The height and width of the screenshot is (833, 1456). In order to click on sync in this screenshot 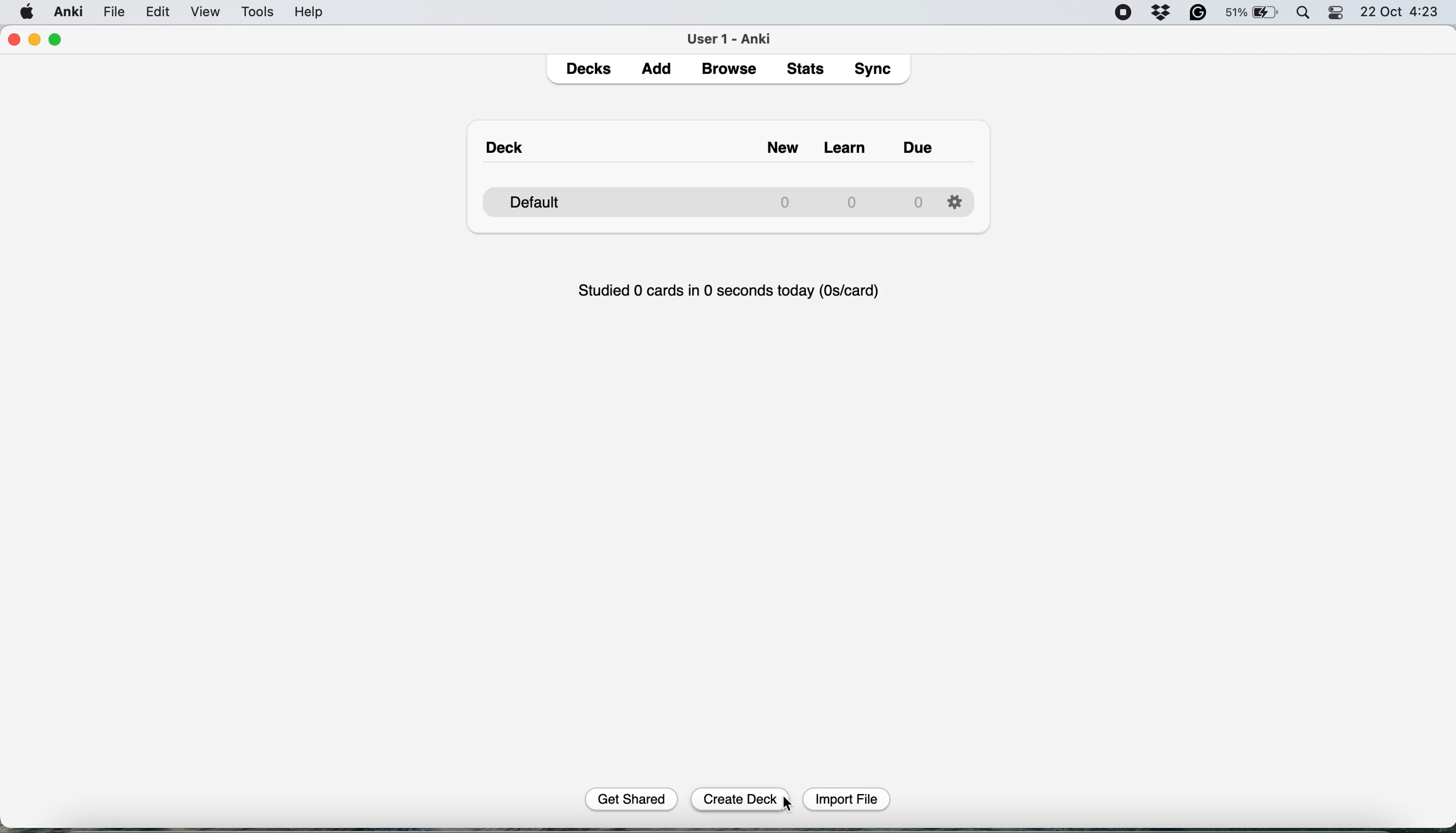, I will do `click(875, 70)`.